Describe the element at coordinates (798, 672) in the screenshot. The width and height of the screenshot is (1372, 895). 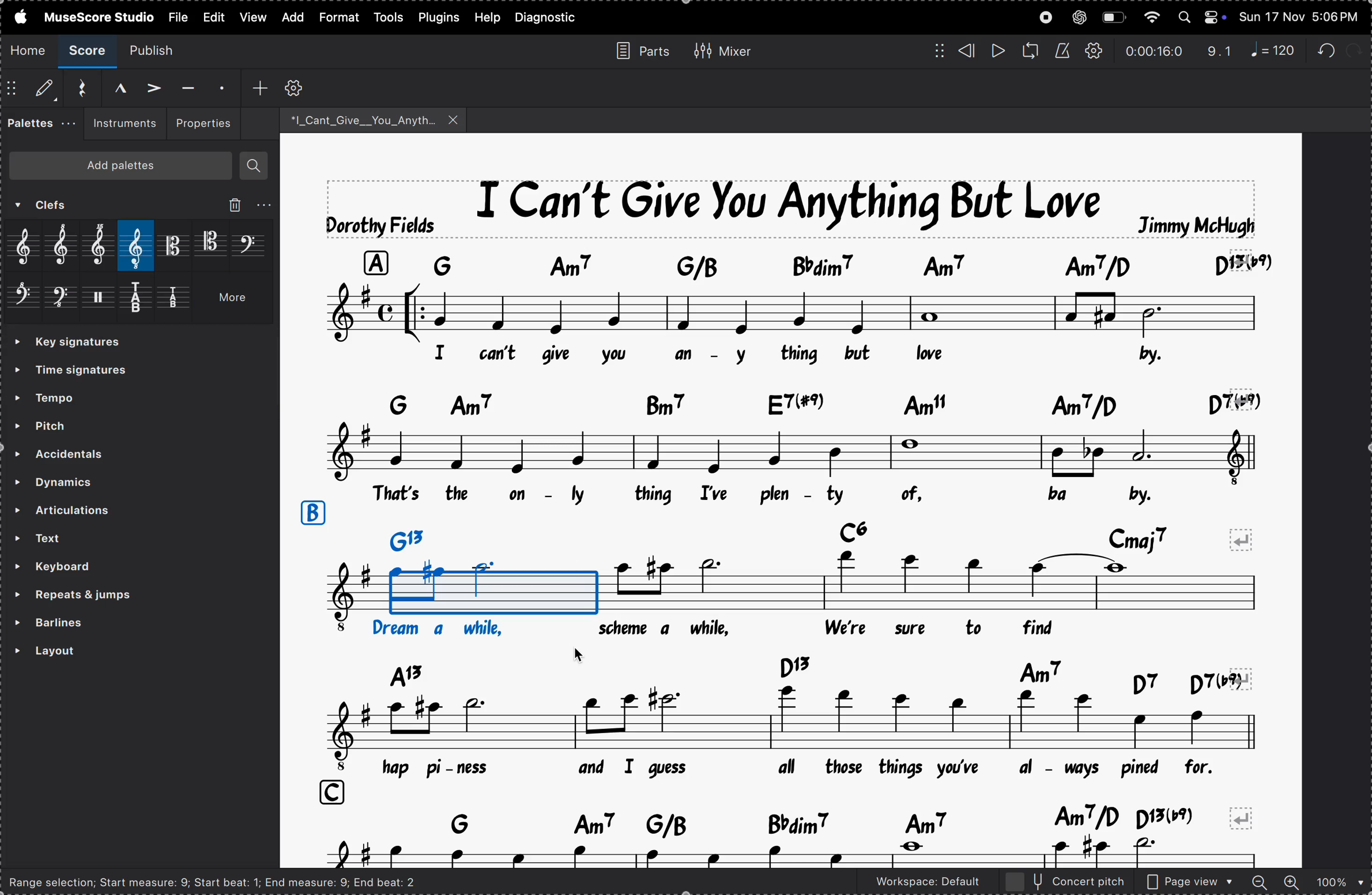
I see `key notes` at that location.